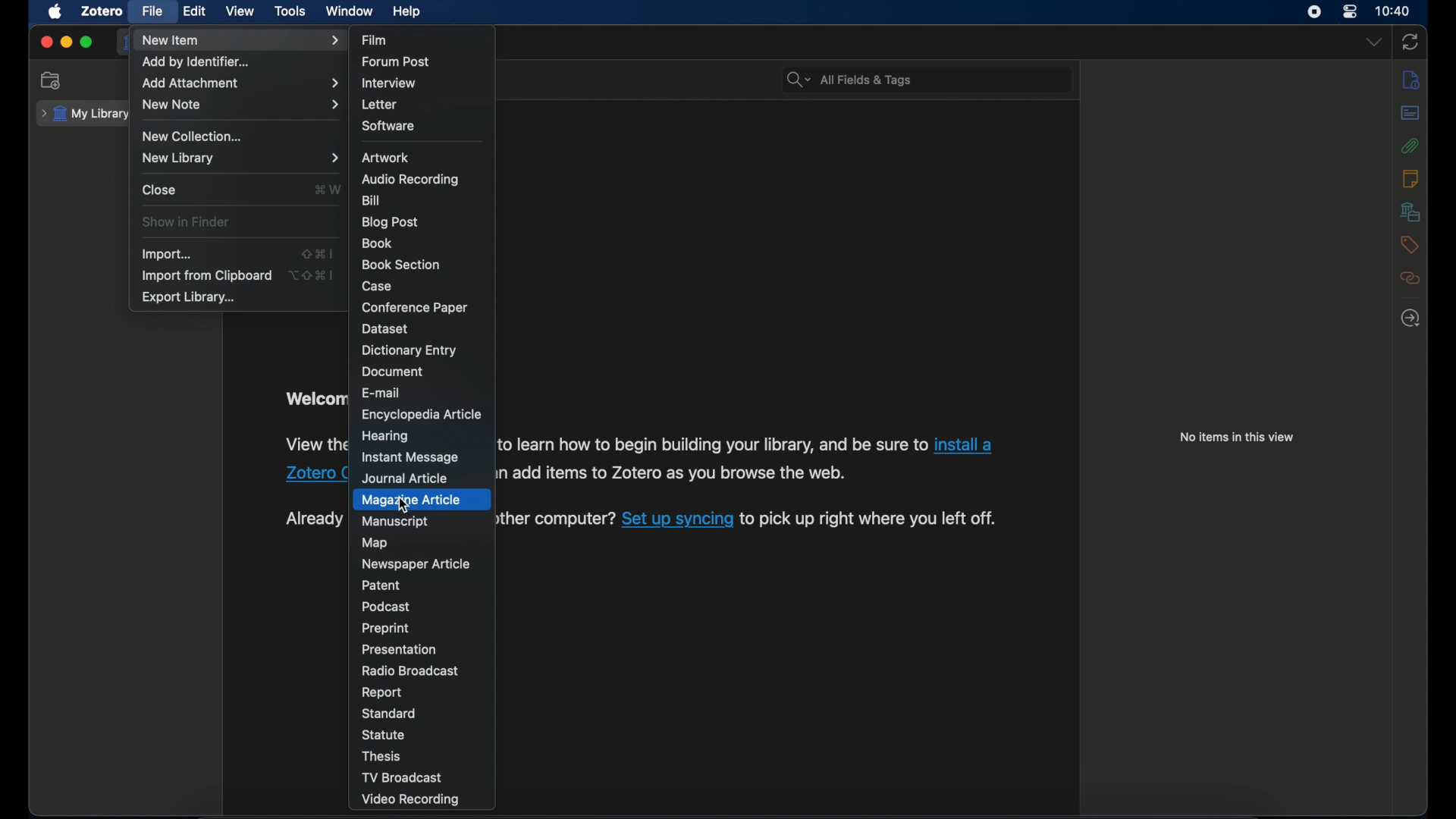  What do you see at coordinates (187, 222) in the screenshot?
I see `show in finder` at bounding box center [187, 222].